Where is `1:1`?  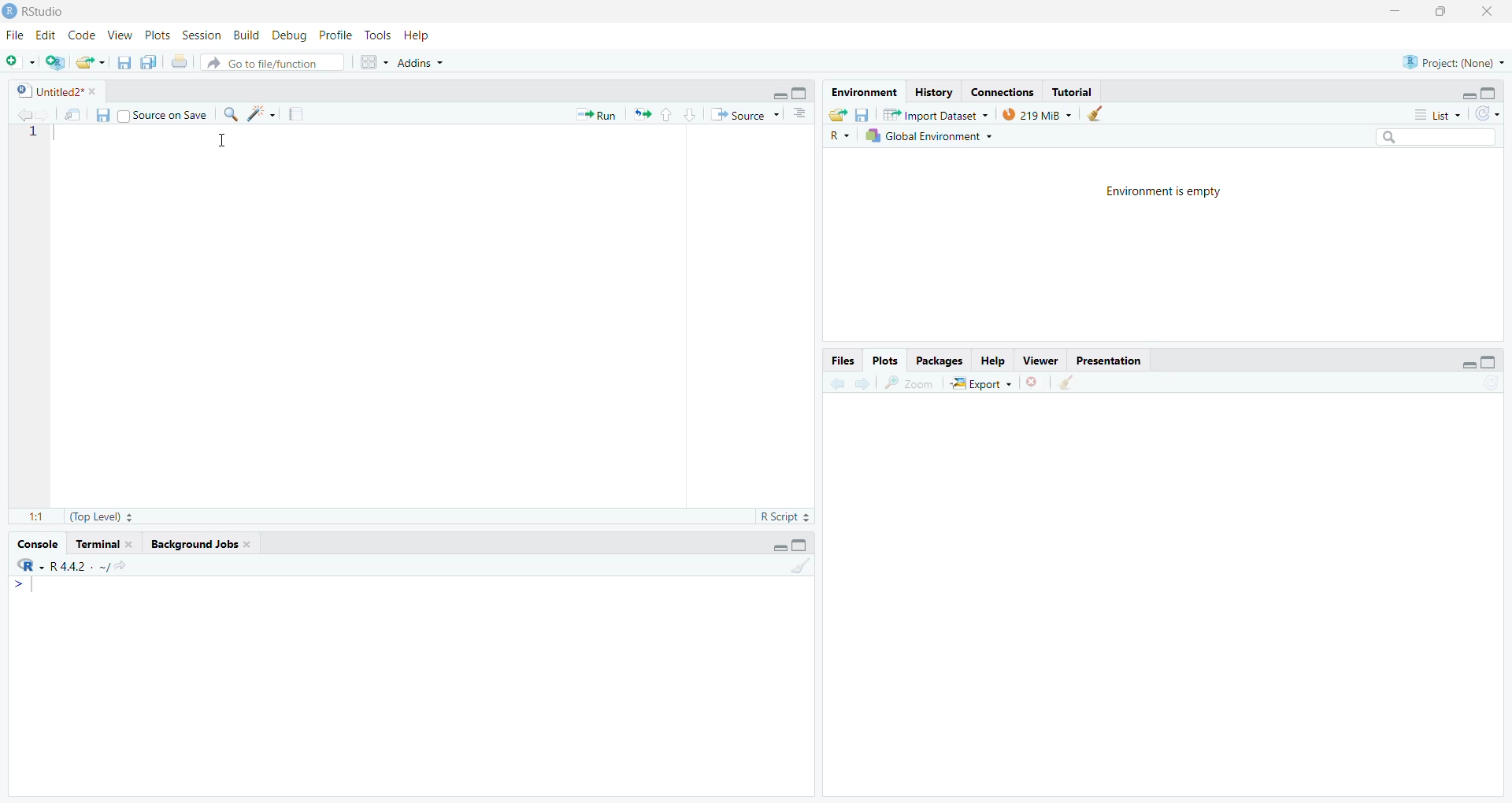 1:1 is located at coordinates (37, 518).